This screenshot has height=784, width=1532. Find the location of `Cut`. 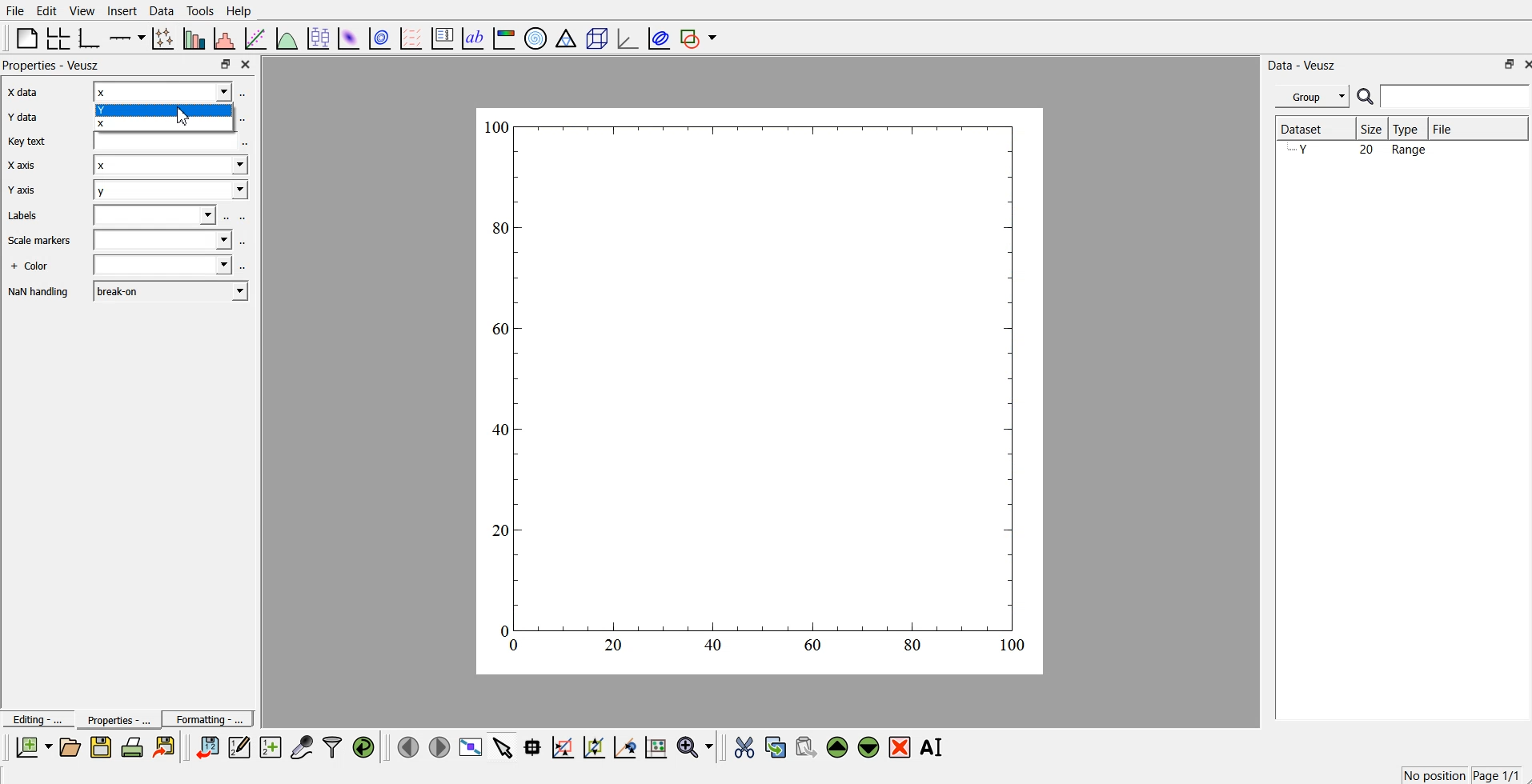

Cut is located at coordinates (744, 746).